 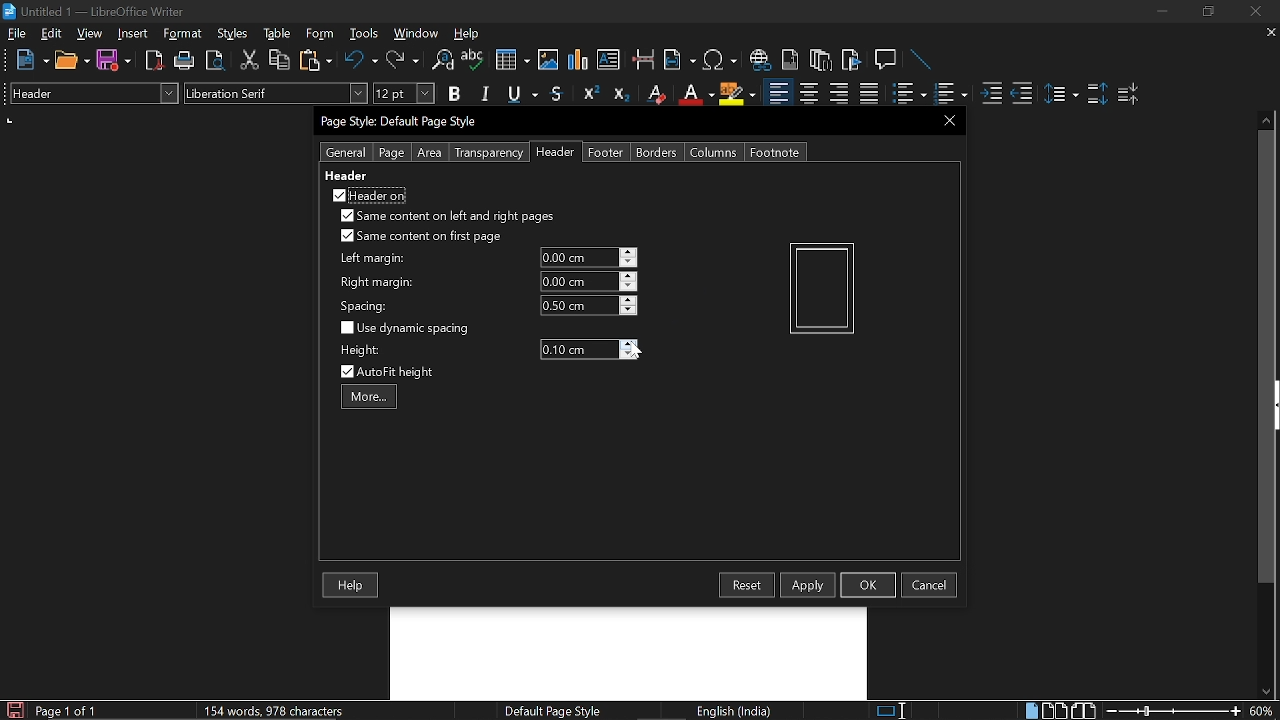 I want to click on Save, so click(x=13, y=710).